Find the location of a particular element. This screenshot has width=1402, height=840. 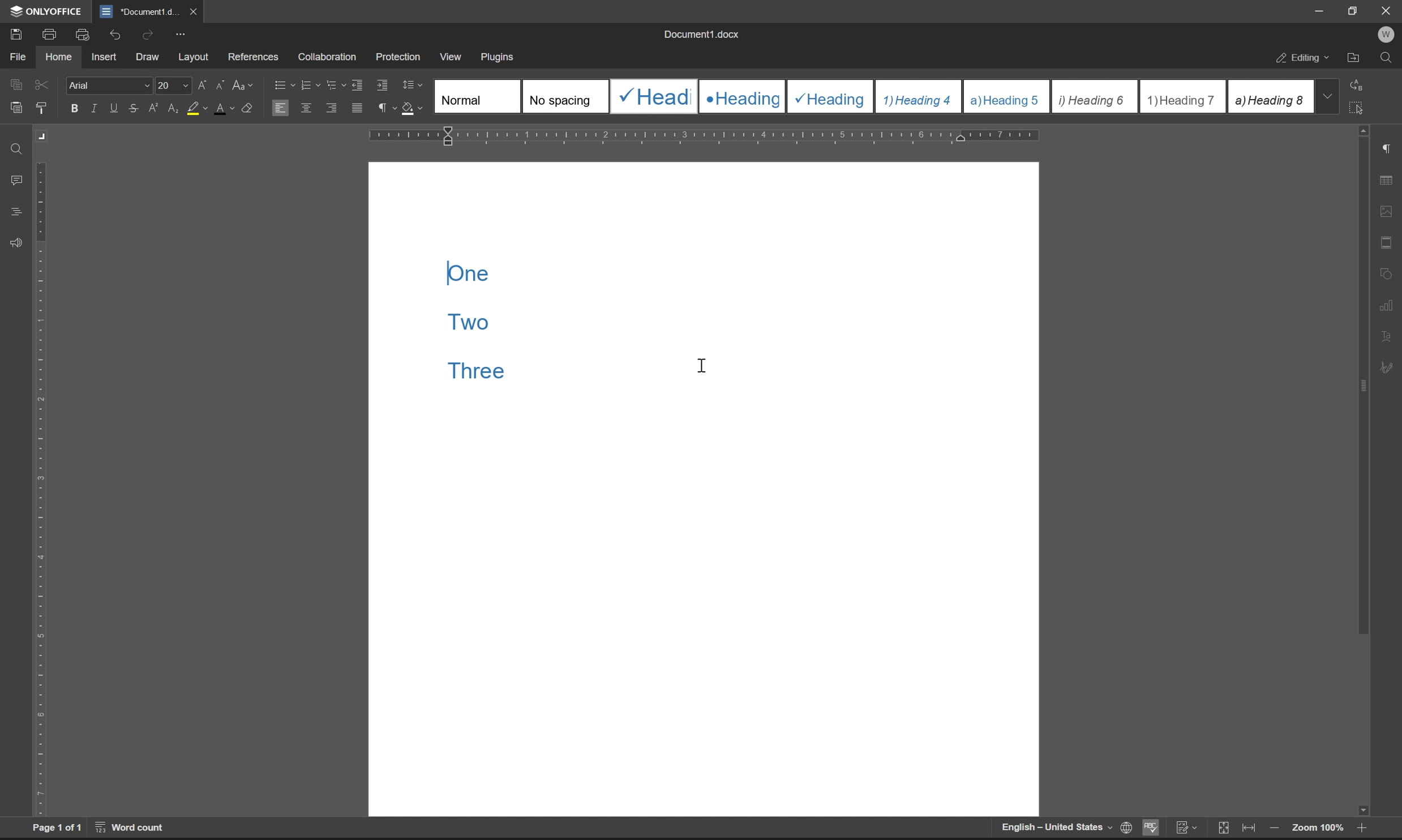

Heading 6 is located at coordinates (1094, 97).